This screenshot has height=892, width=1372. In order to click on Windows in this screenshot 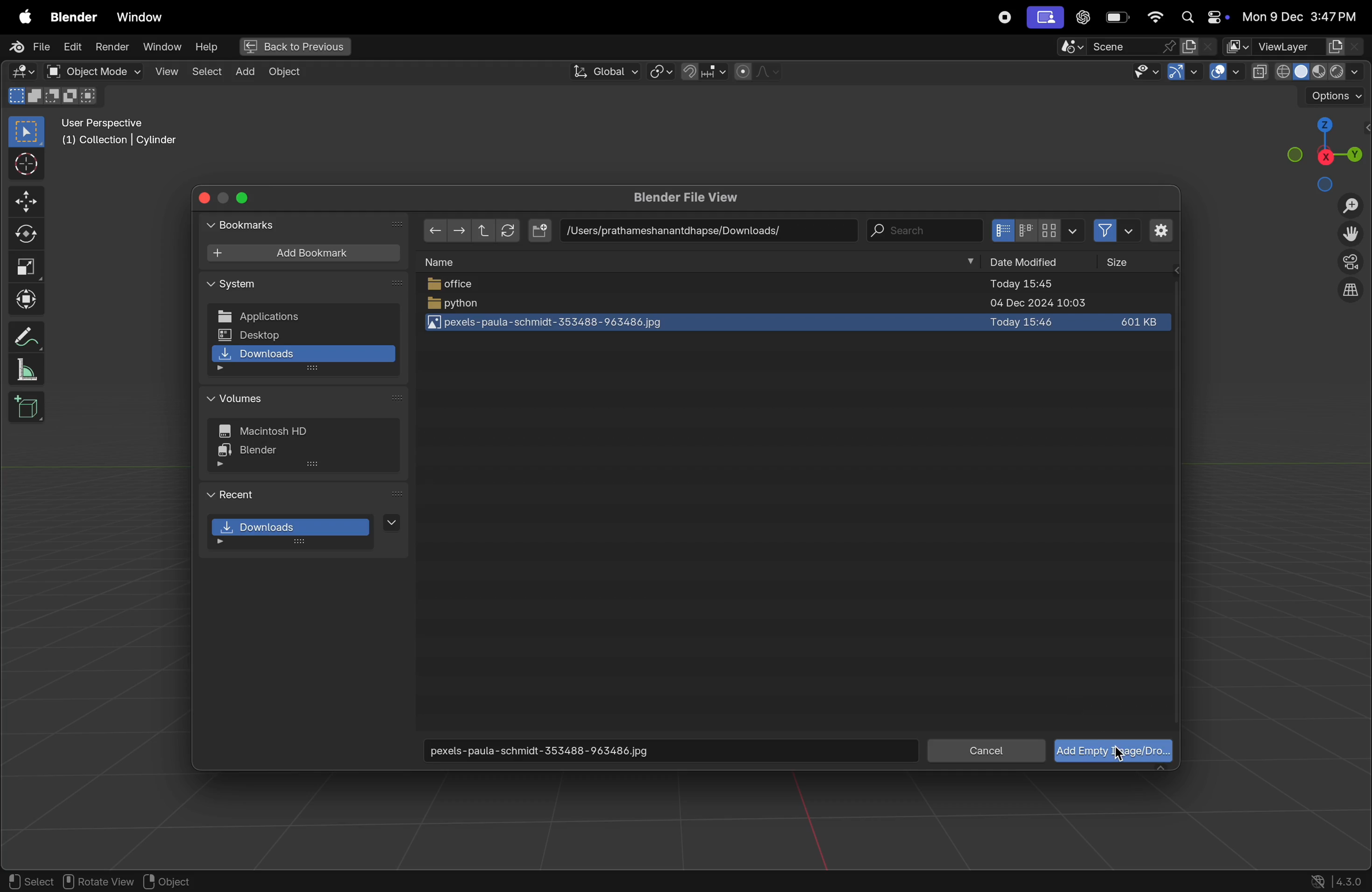, I will do `click(140, 14)`.